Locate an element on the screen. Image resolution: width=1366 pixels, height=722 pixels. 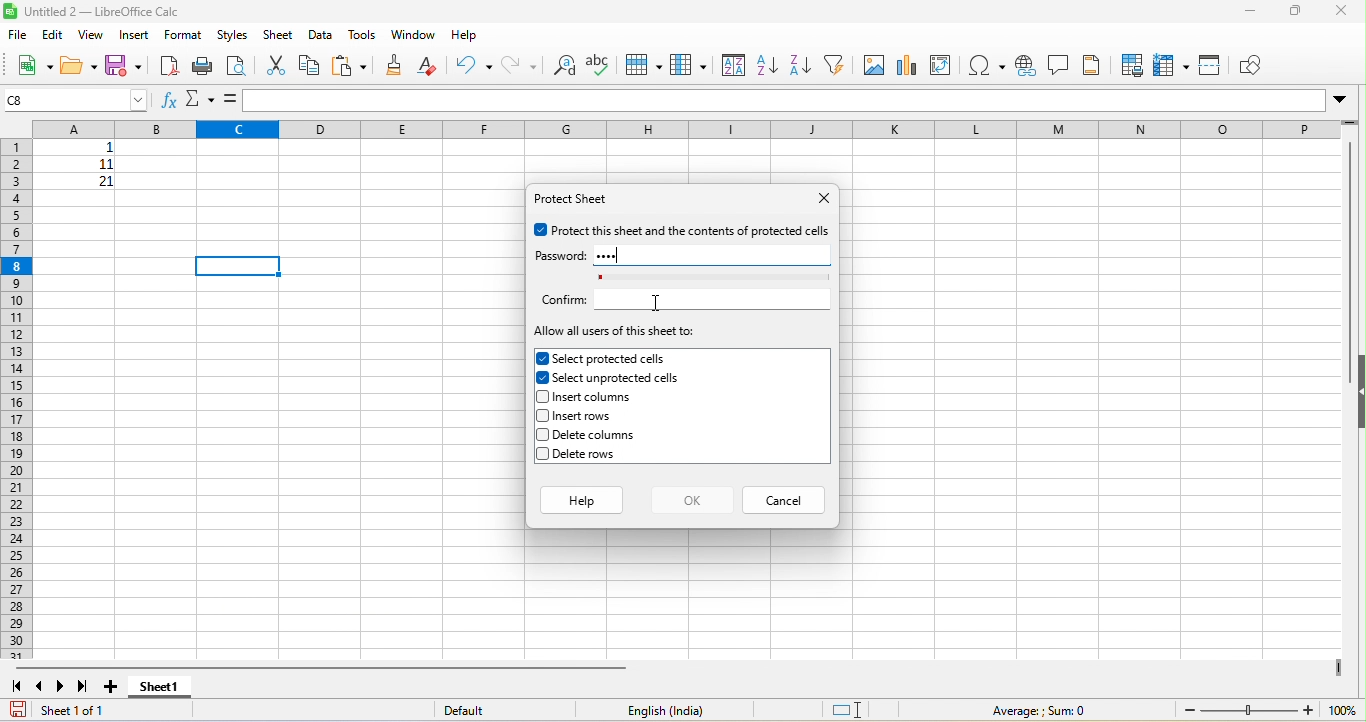
format is located at coordinates (184, 36).